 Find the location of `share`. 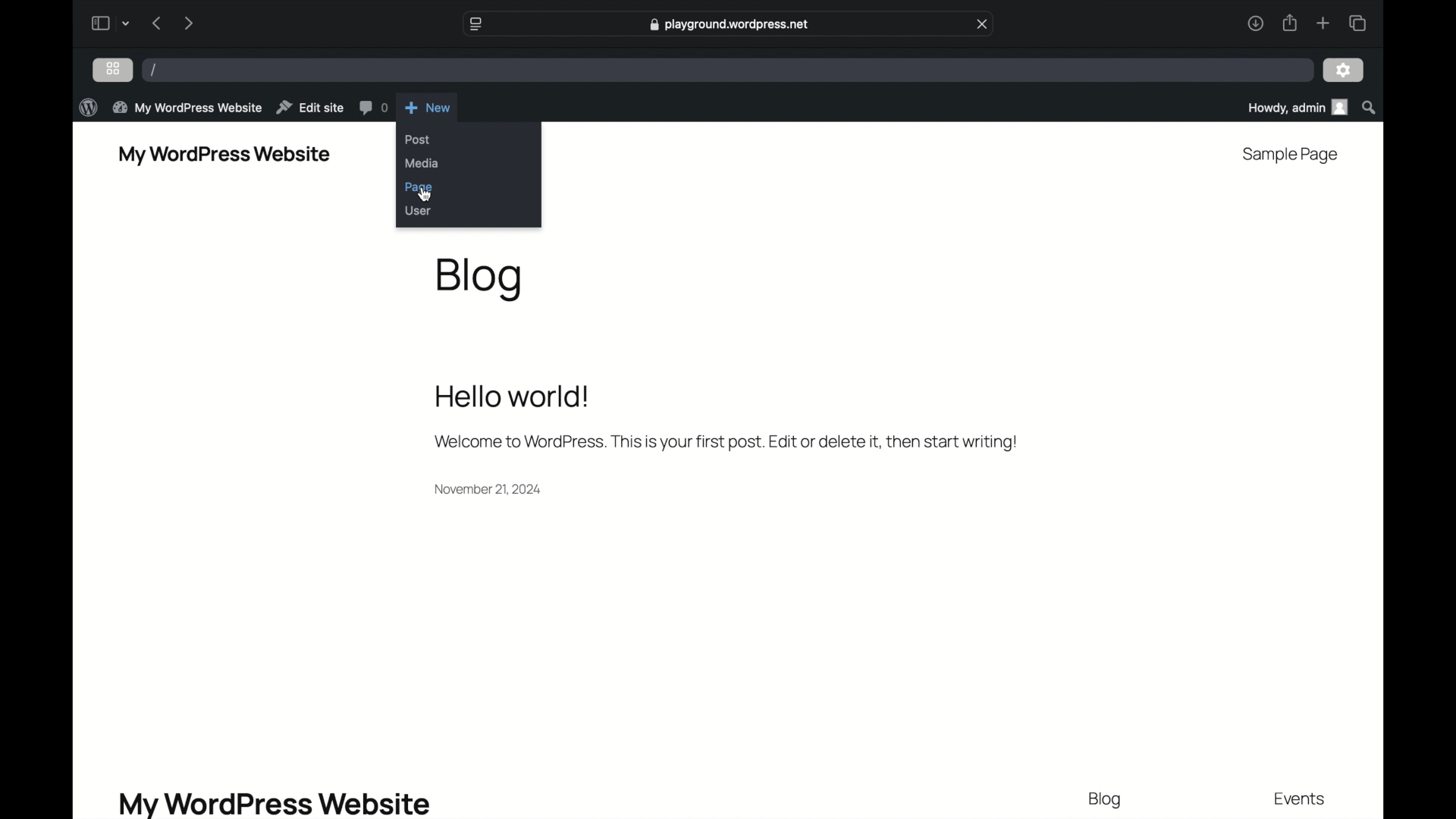

share is located at coordinates (1291, 23).